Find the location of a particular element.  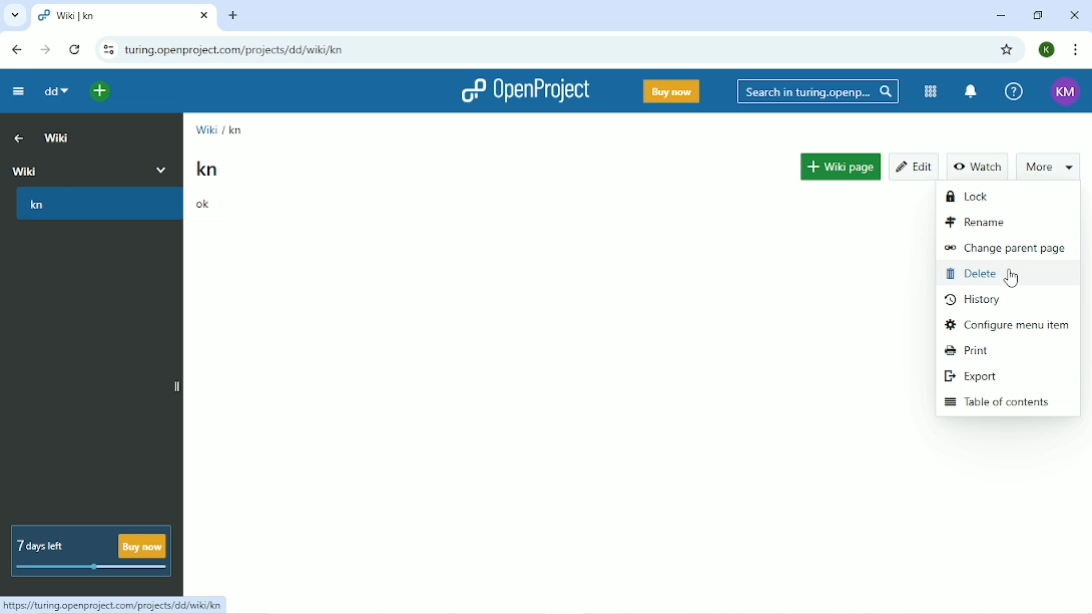

Wiki is located at coordinates (56, 138).